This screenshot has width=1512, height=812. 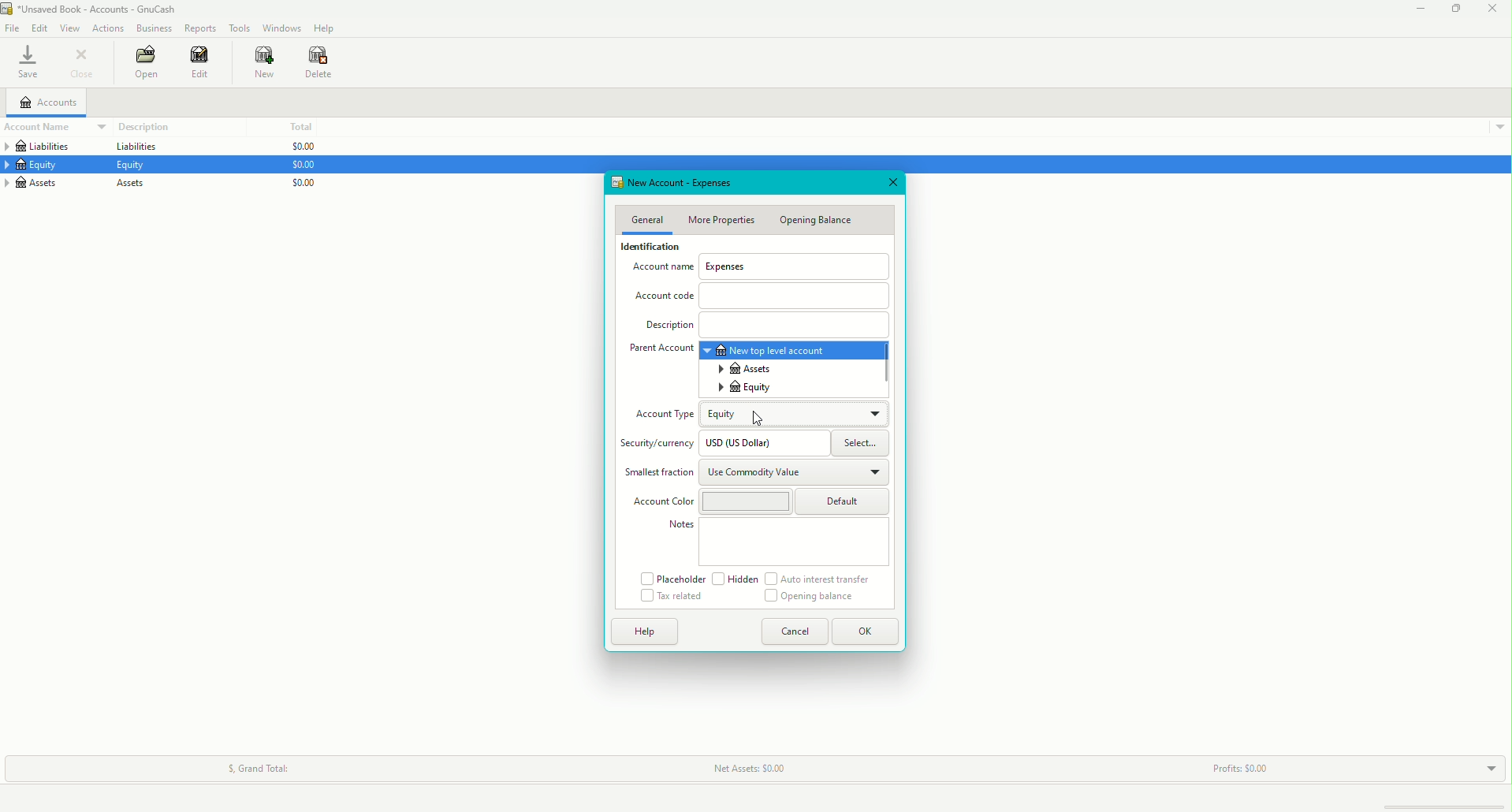 I want to click on Assets, so click(x=46, y=182).